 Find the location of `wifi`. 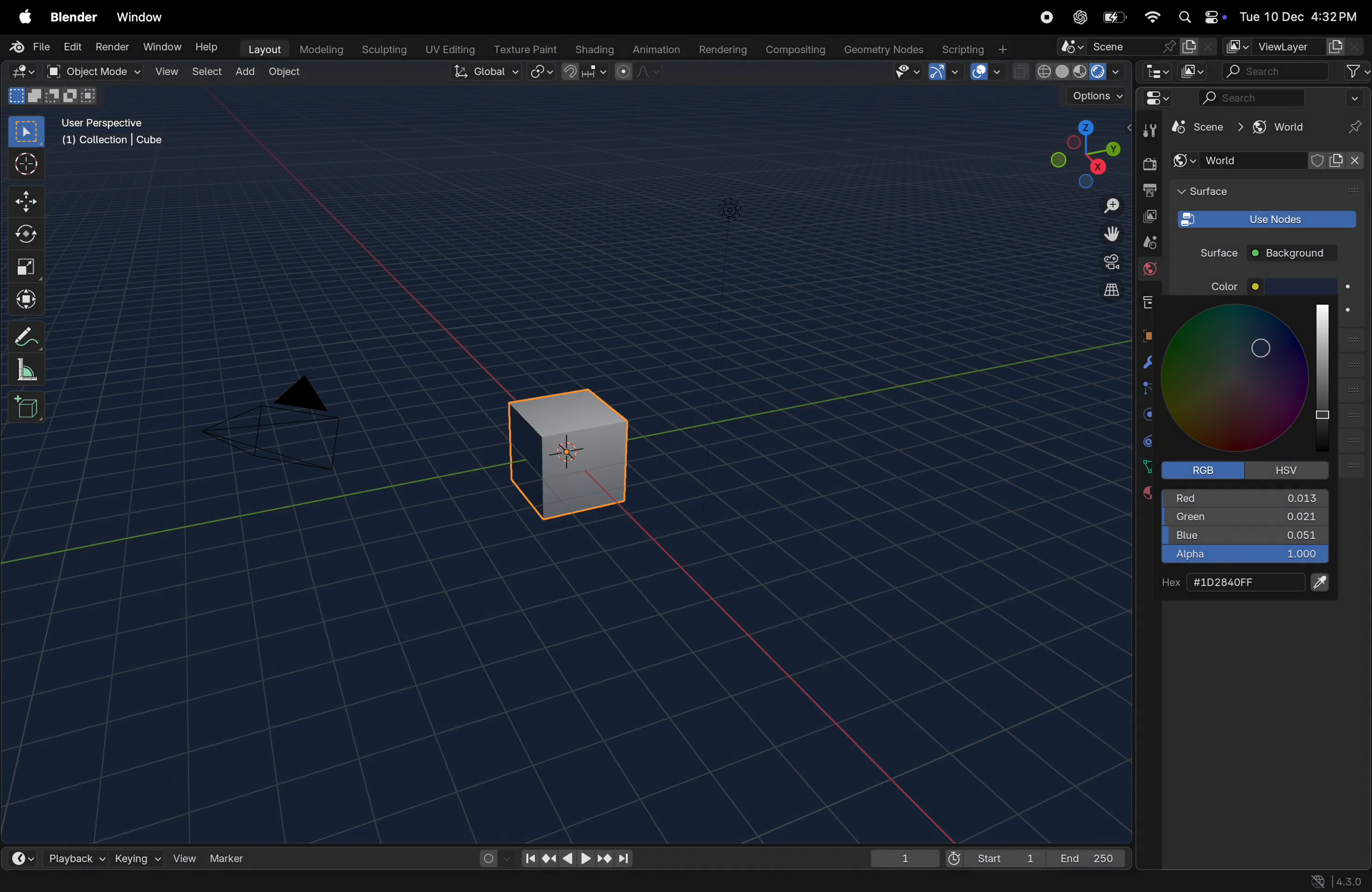

wifi is located at coordinates (1152, 17).